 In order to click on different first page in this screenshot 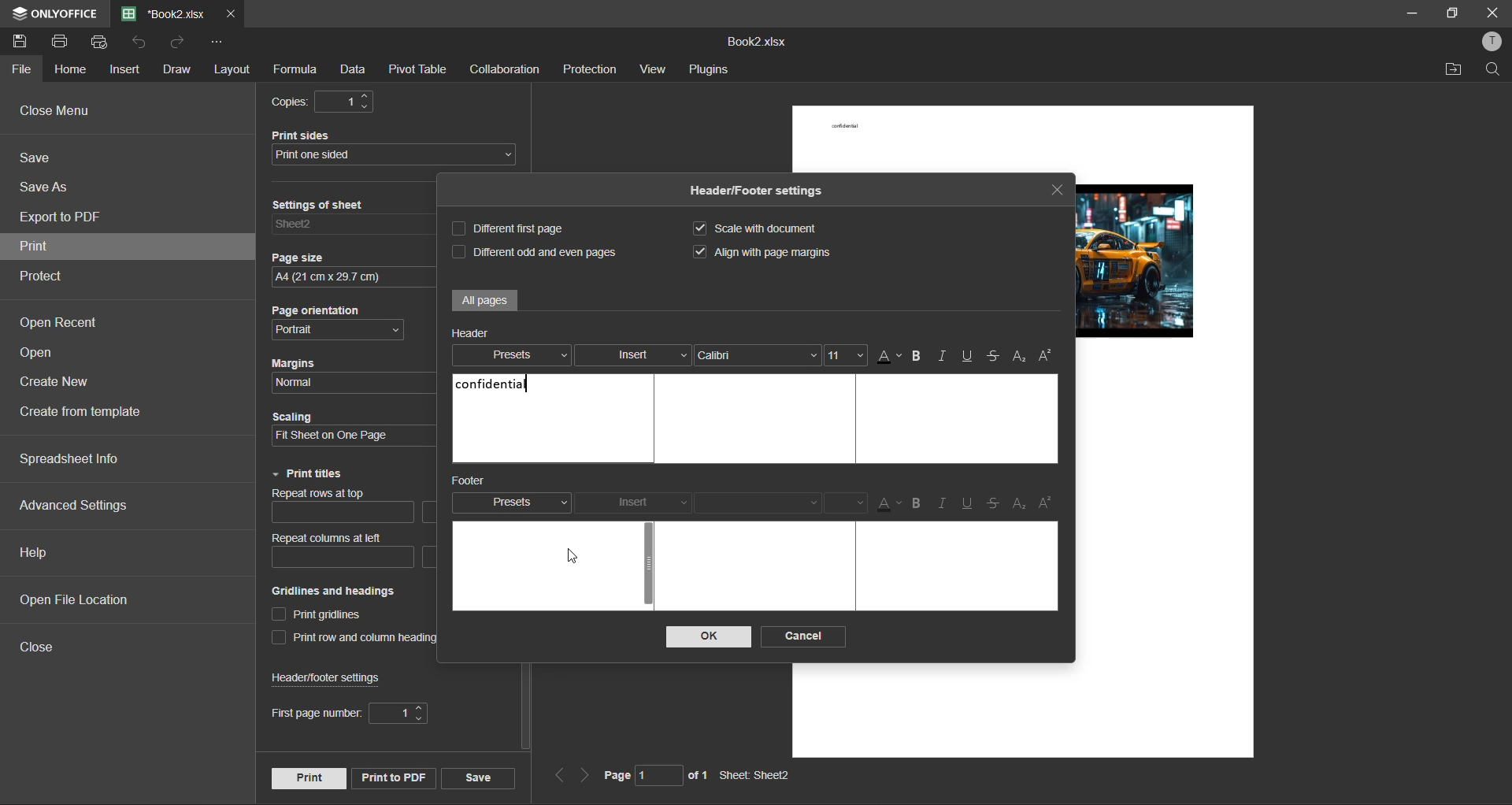, I will do `click(507, 228)`.